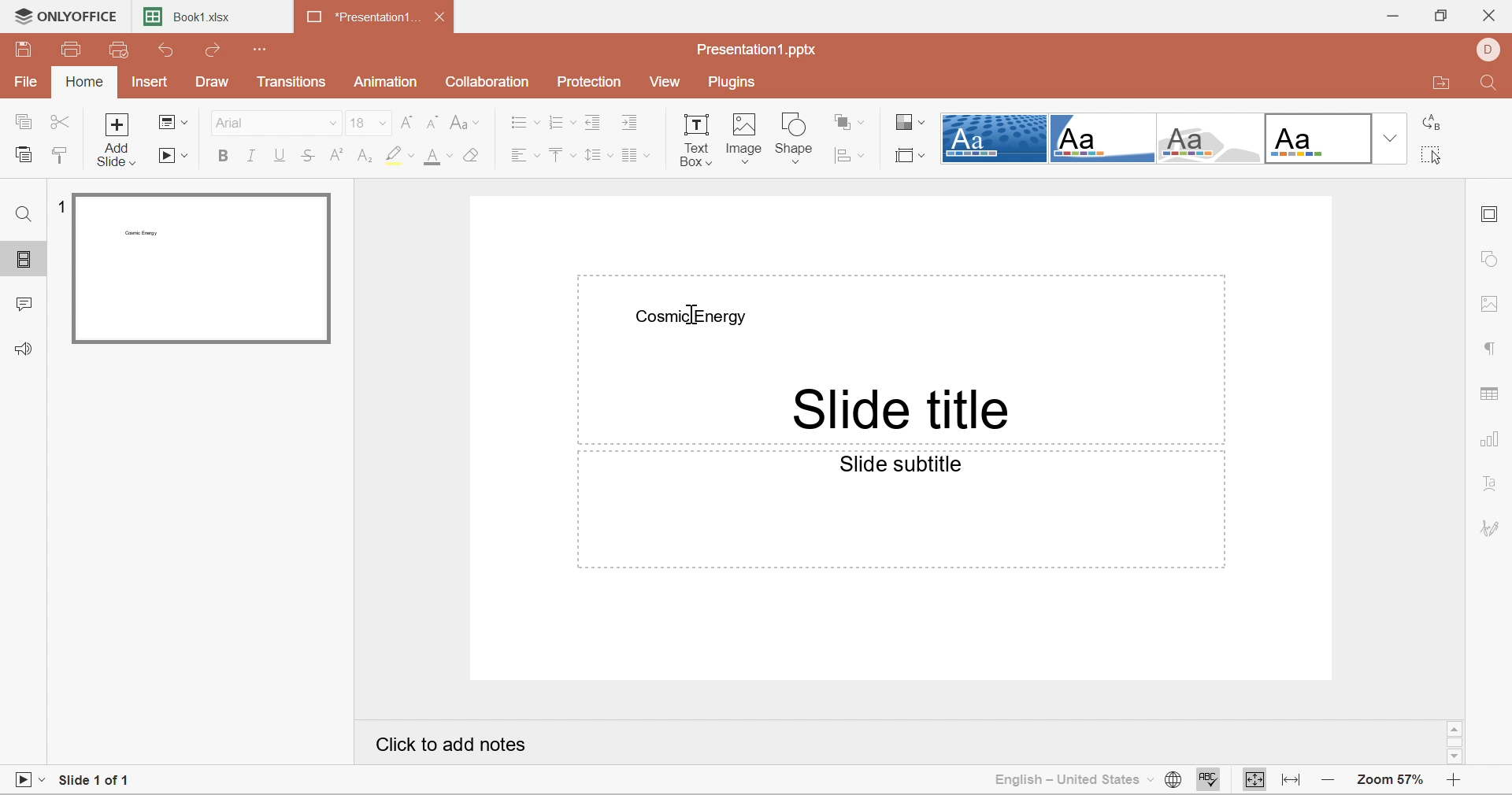  Describe the element at coordinates (74, 50) in the screenshot. I see `Print` at that location.